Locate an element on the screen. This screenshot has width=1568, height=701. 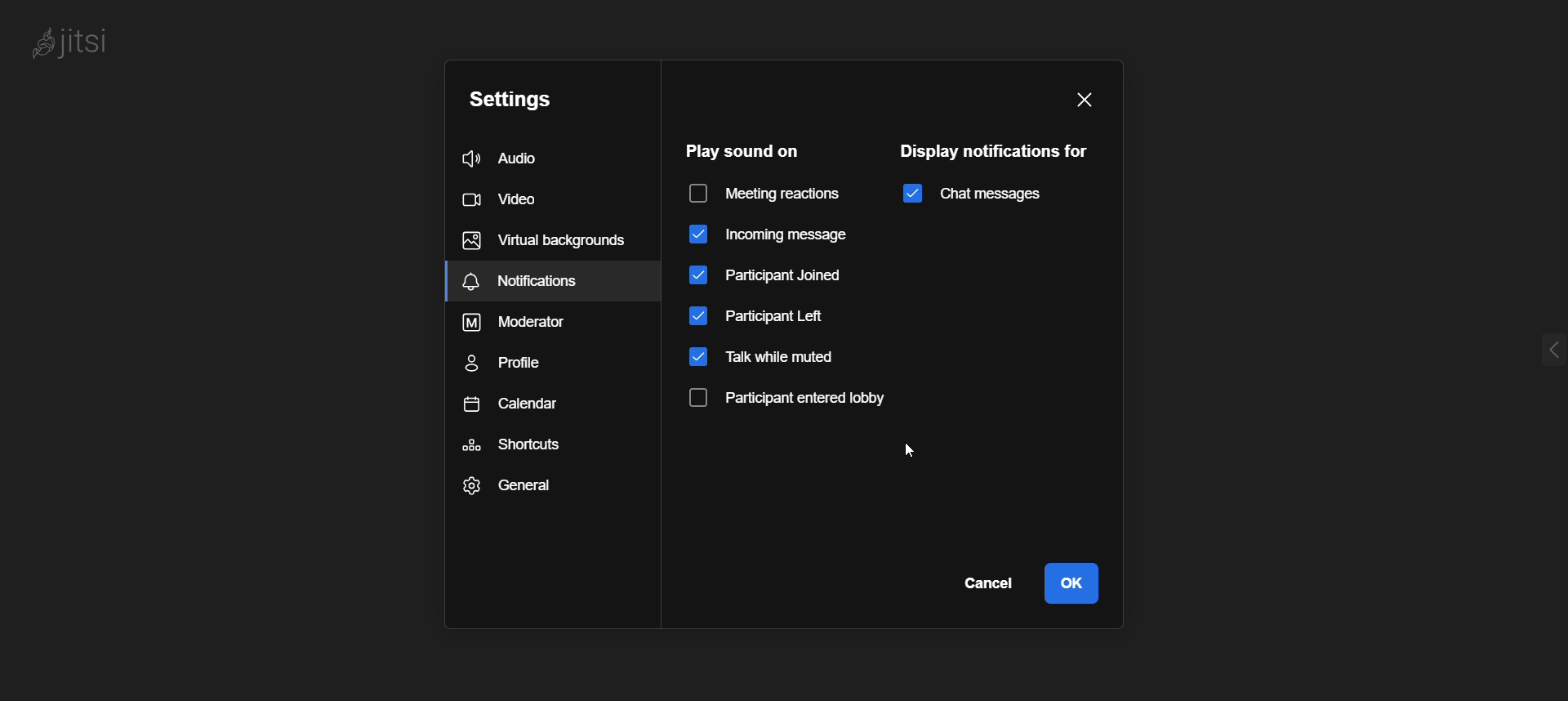
Profile is located at coordinates (517, 361).